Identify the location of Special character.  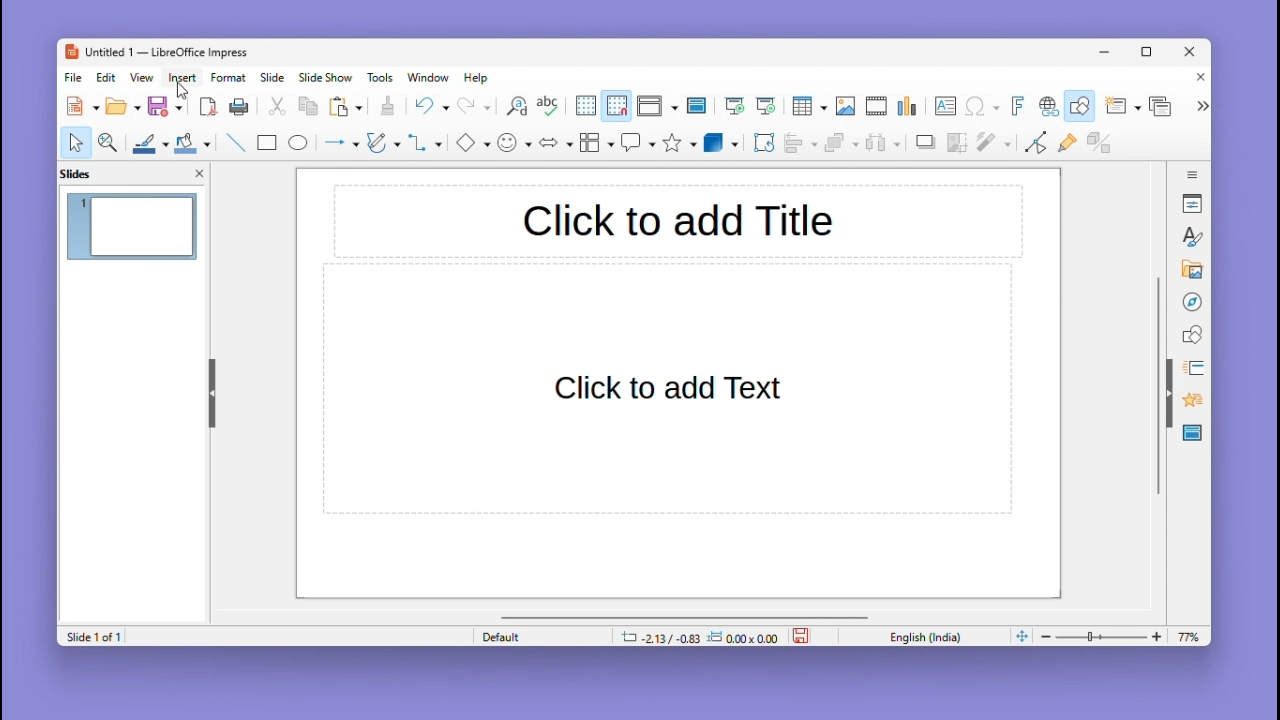
(983, 108).